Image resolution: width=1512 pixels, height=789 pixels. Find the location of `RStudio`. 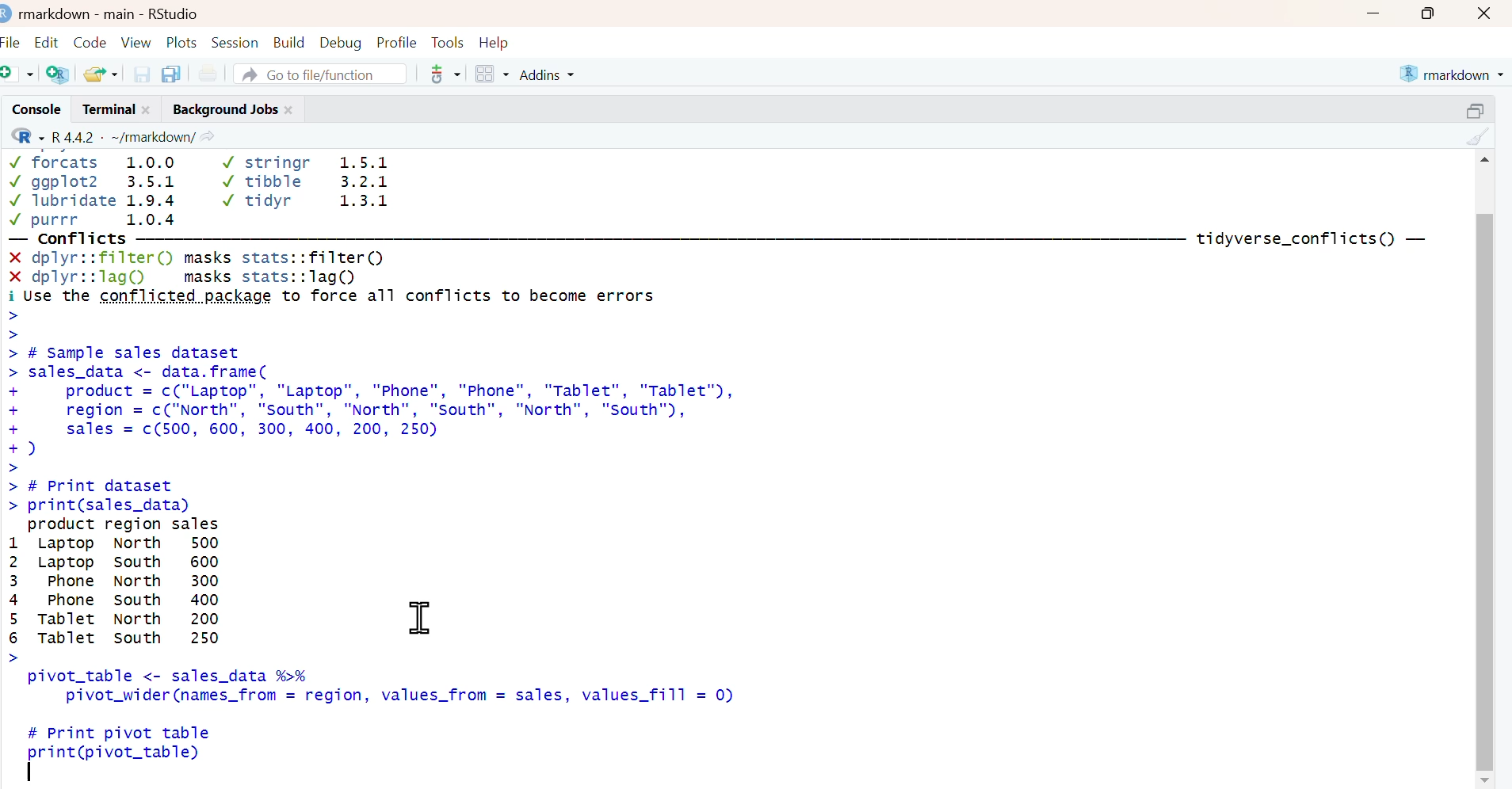

RStudio is located at coordinates (174, 12).